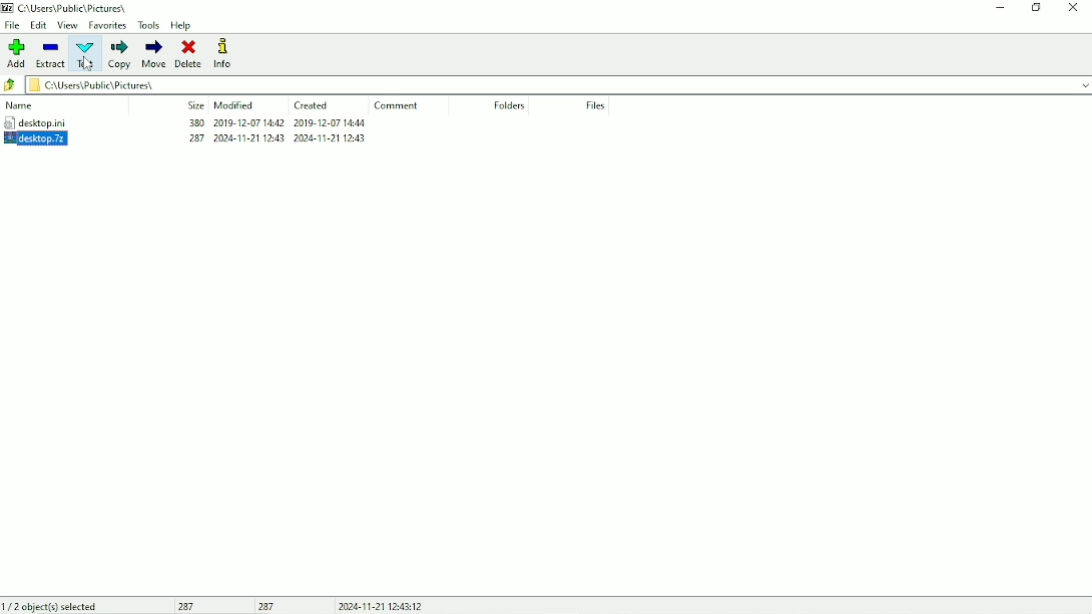 This screenshot has height=614, width=1092. I want to click on Favorites, so click(109, 26).